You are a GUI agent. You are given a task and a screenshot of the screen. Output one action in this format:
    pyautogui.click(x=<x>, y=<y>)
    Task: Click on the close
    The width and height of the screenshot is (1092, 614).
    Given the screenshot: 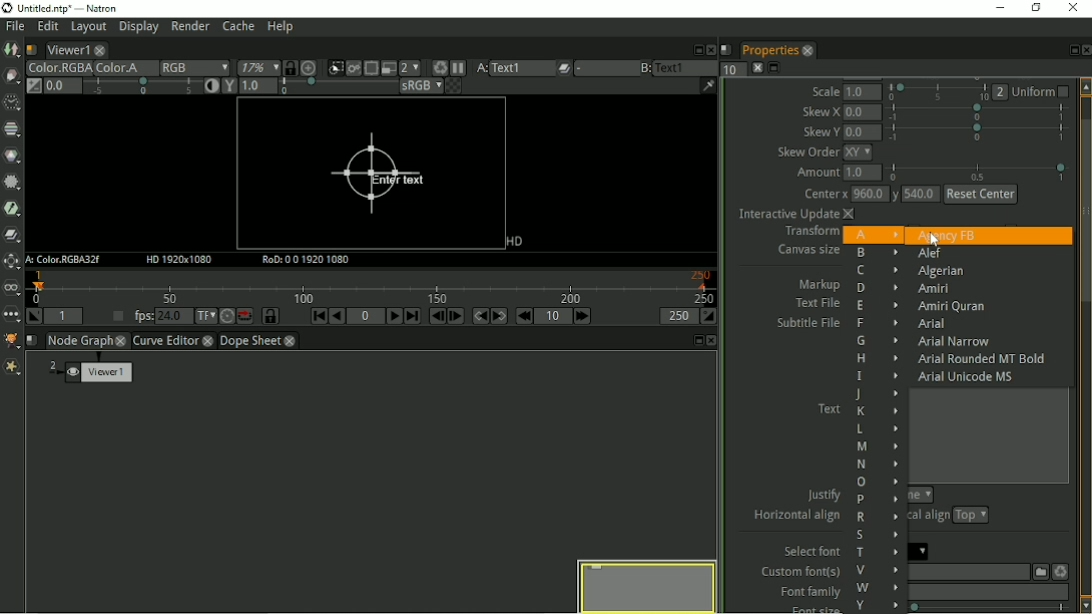 What is the action you would take?
    pyautogui.click(x=807, y=50)
    